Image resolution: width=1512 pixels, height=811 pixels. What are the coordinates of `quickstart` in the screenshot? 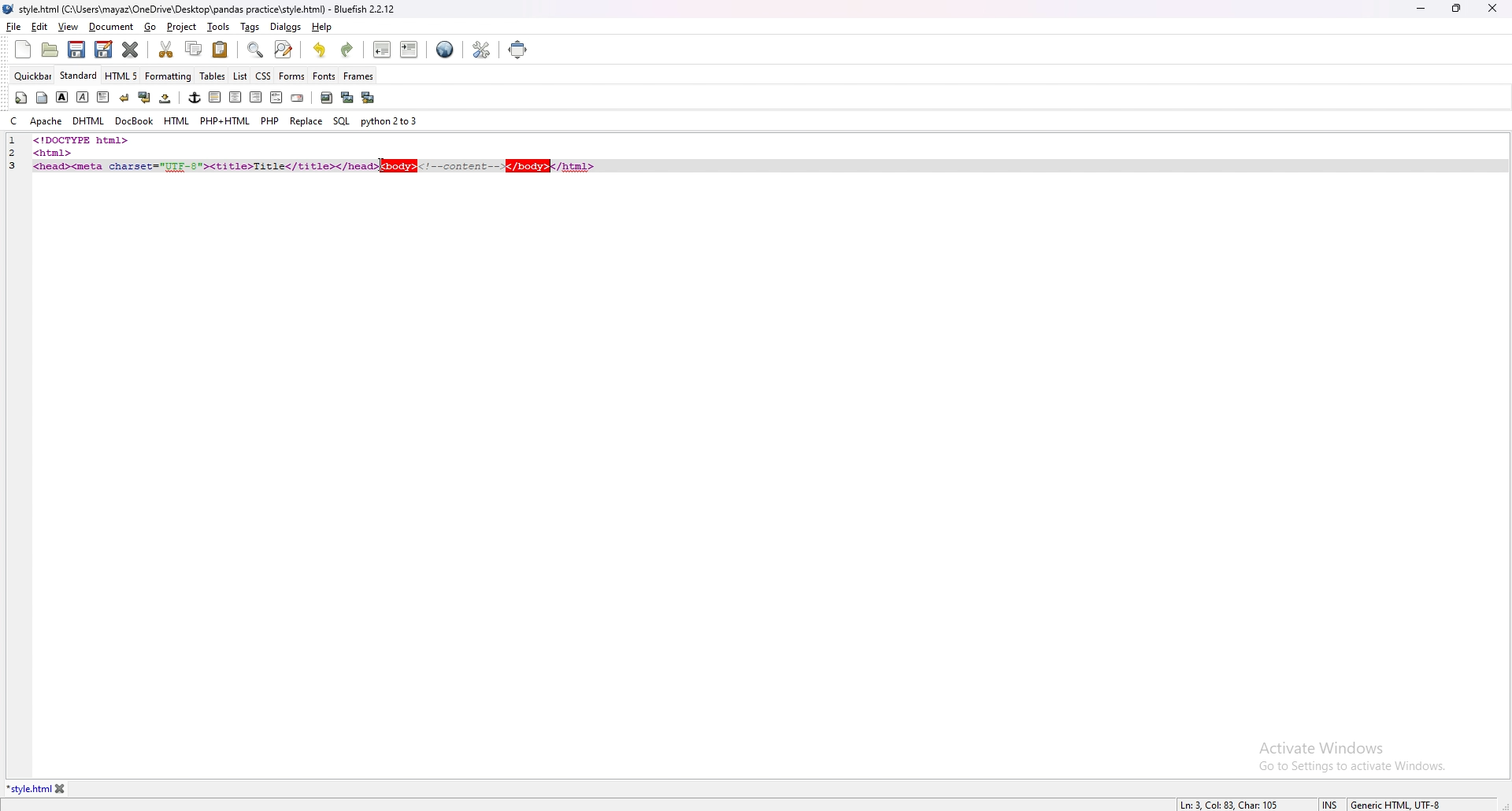 It's located at (20, 98).